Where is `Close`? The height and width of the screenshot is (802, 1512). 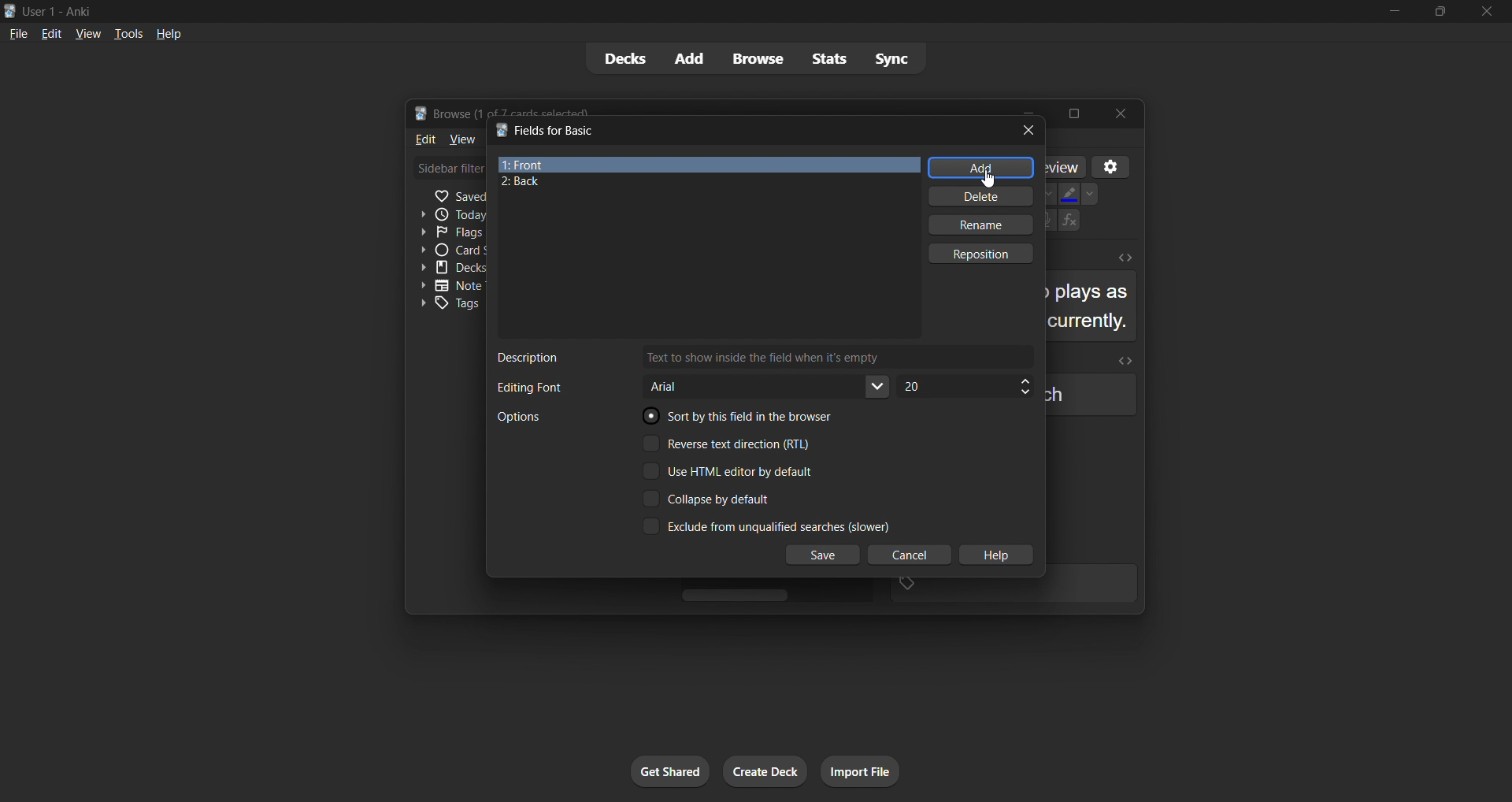
Close is located at coordinates (1126, 111).